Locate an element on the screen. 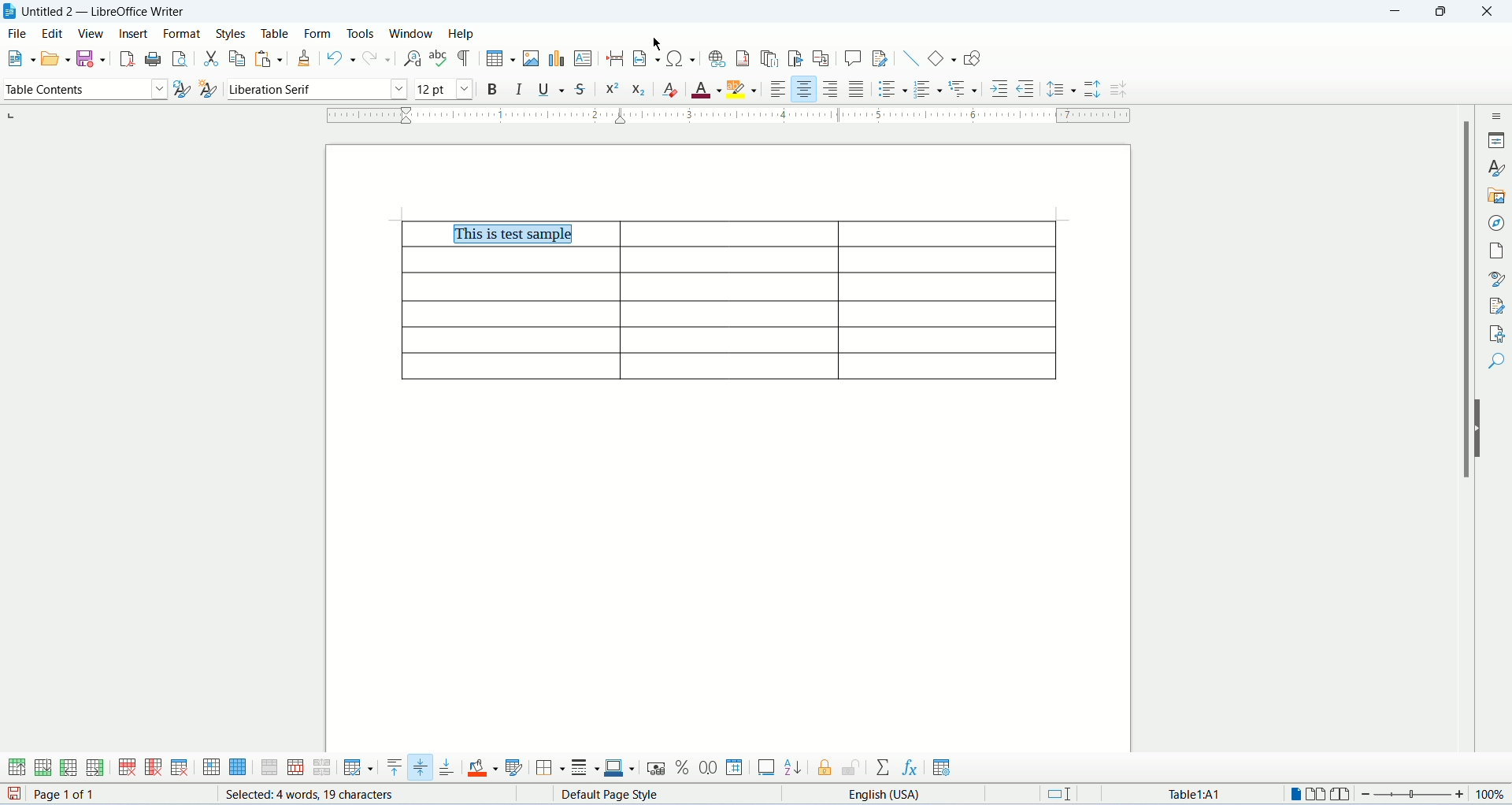 This screenshot has height=805, width=1512. insert page break is located at coordinates (616, 57).